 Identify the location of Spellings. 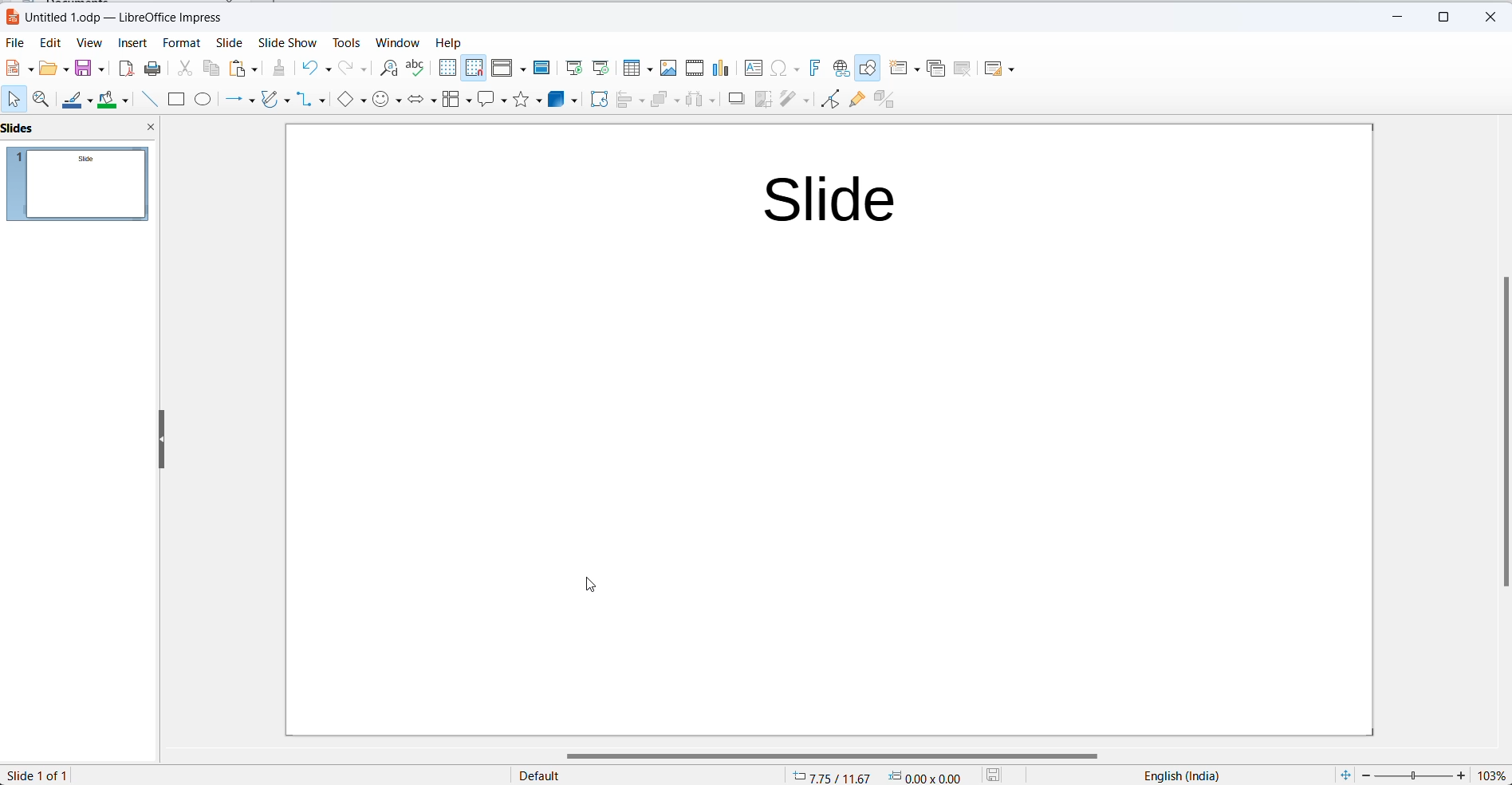
(412, 69).